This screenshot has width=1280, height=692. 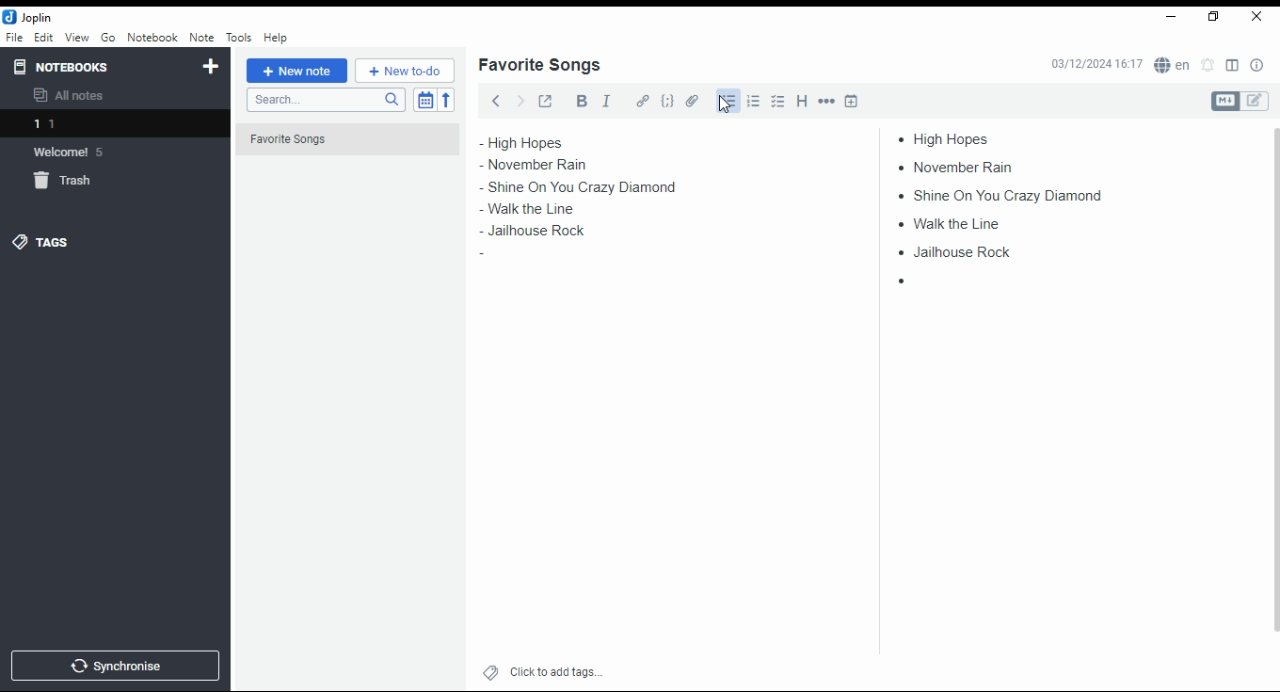 What do you see at coordinates (240, 38) in the screenshot?
I see `tools` at bounding box center [240, 38].